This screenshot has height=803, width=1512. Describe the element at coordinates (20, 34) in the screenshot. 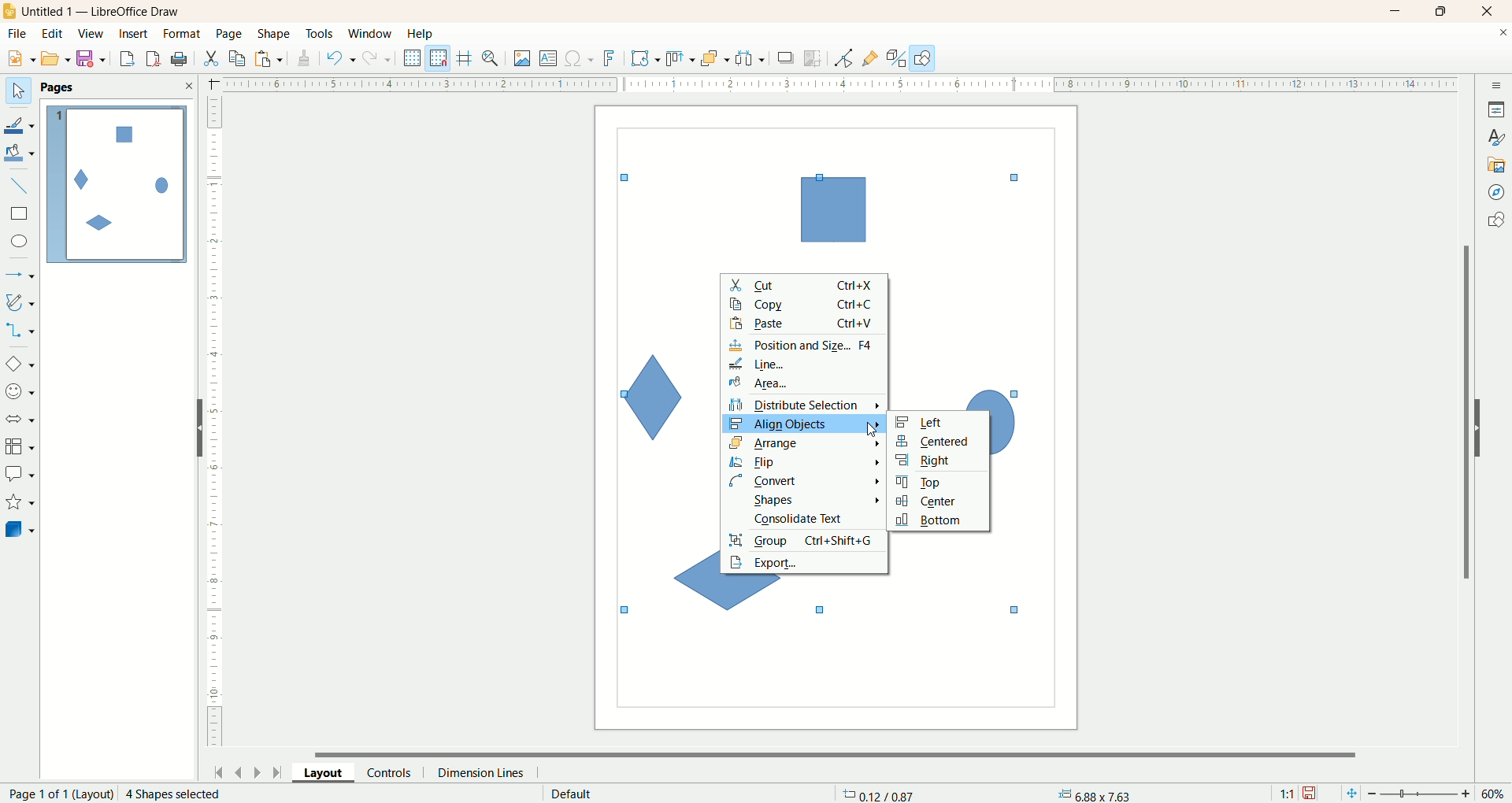

I see `file` at that location.